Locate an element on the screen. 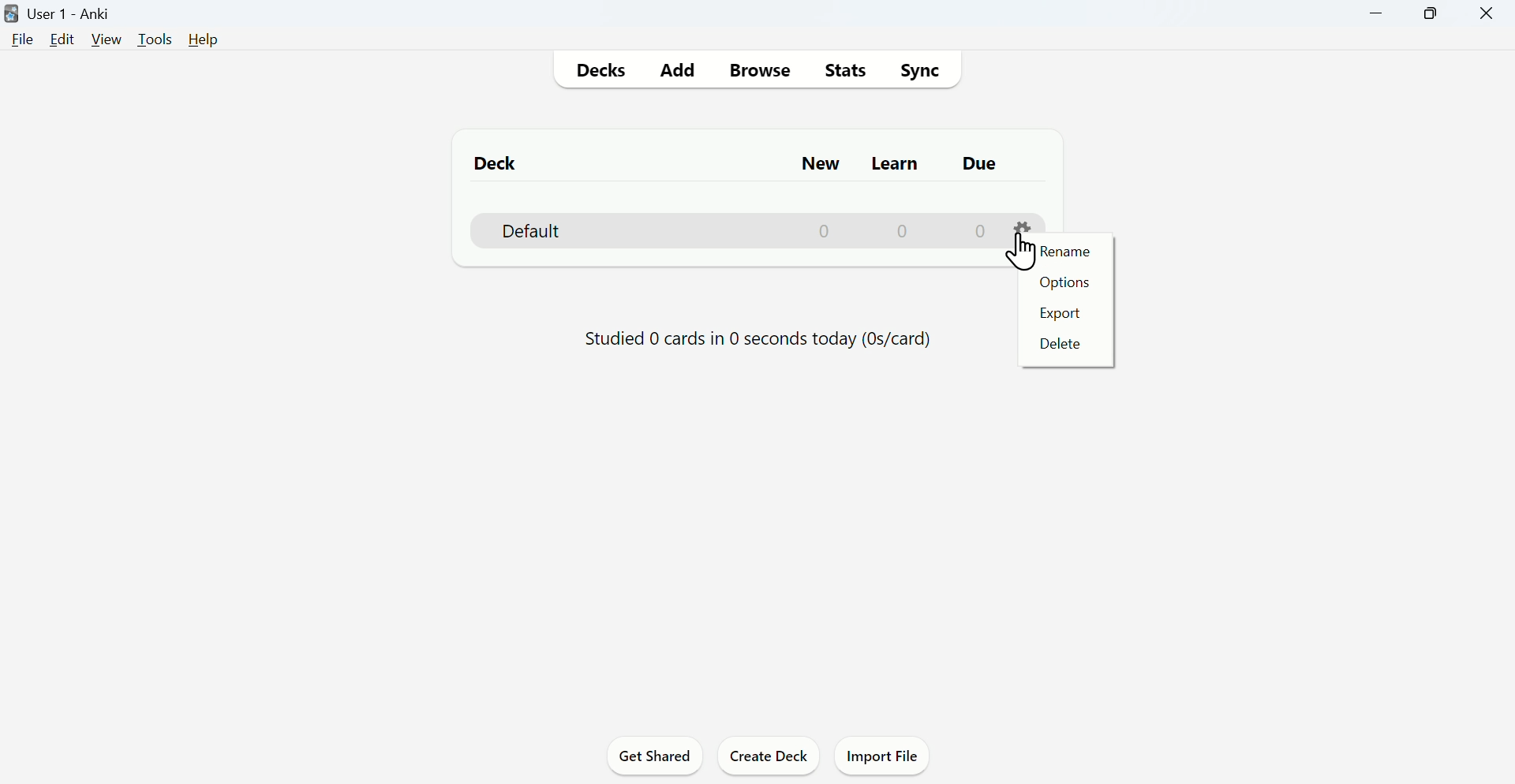 This screenshot has height=784, width=1515. Browse is located at coordinates (758, 69).